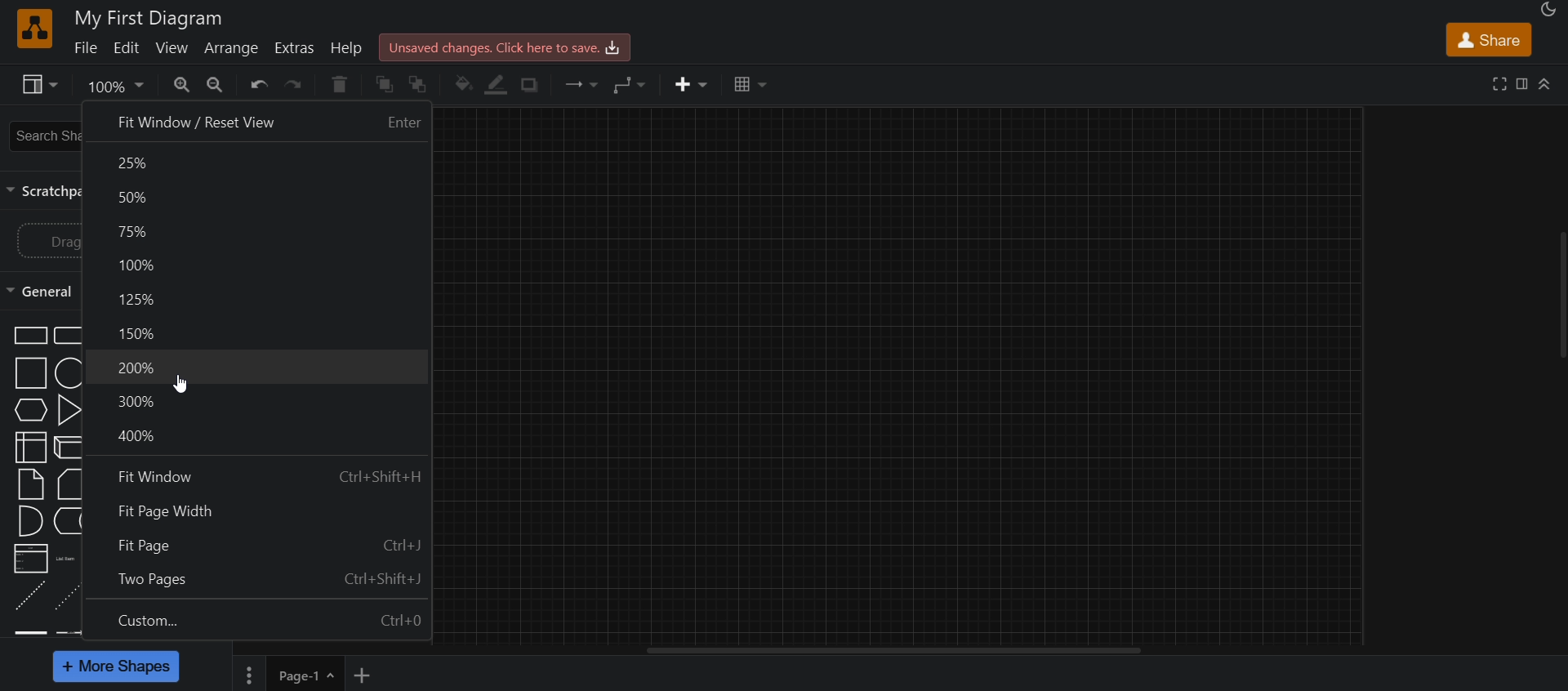  What do you see at coordinates (295, 86) in the screenshot?
I see `redo` at bounding box center [295, 86].